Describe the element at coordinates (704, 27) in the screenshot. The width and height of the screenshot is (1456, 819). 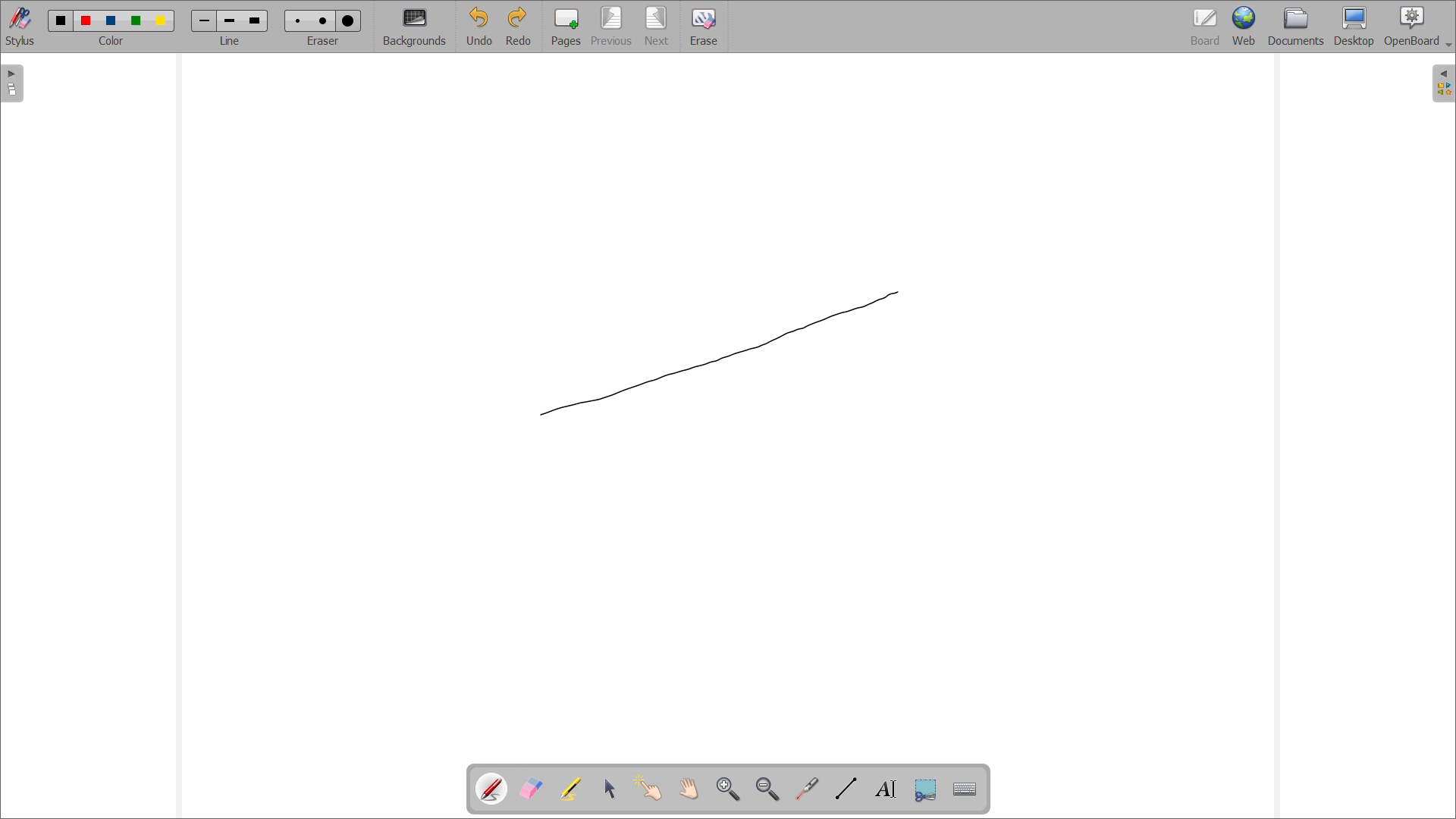
I see `erase` at that location.